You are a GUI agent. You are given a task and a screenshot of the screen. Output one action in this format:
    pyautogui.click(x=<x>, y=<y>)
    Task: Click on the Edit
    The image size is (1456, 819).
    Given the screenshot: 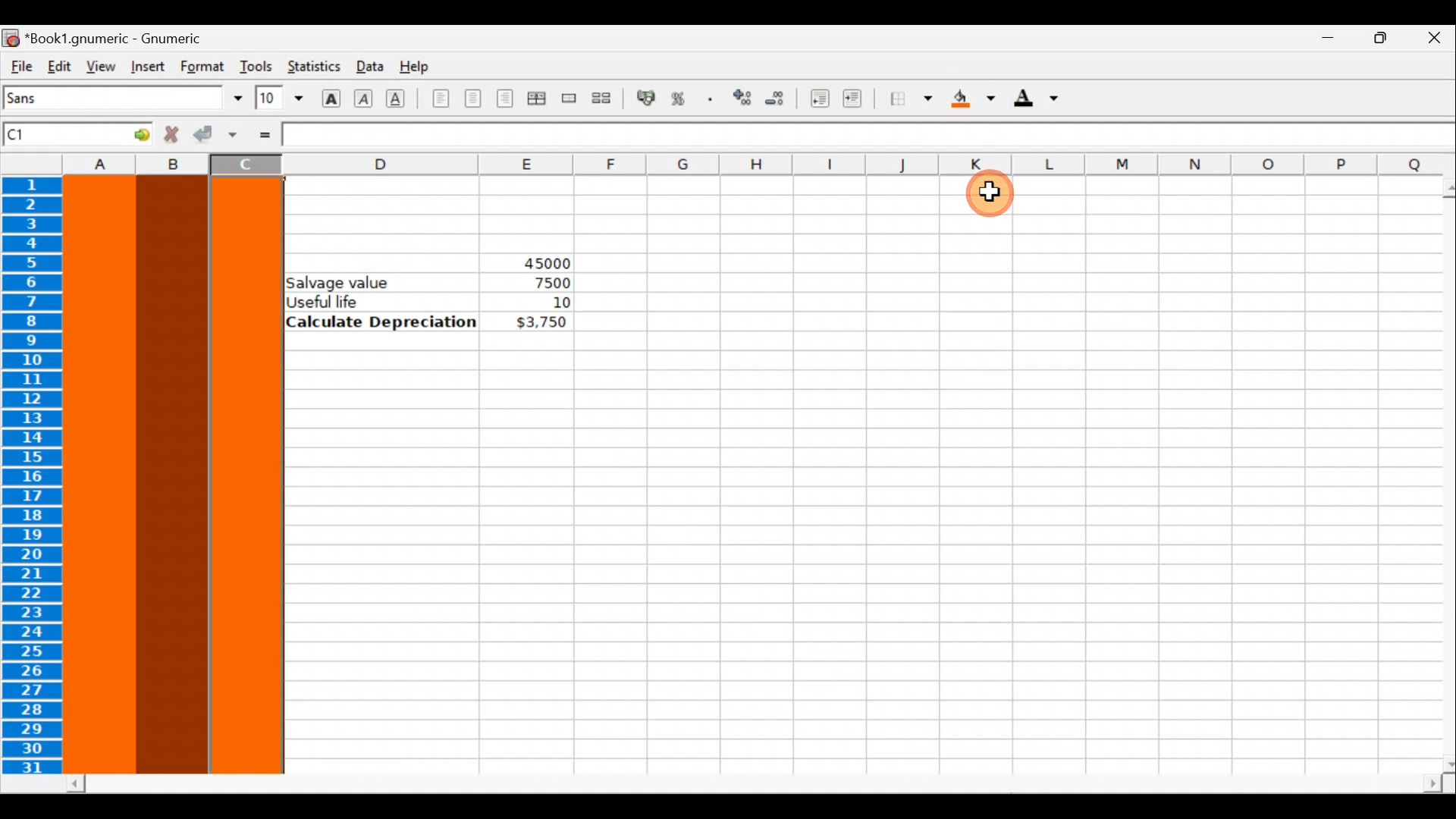 What is the action you would take?
    pyautogui.click(x=59, y=65)
    